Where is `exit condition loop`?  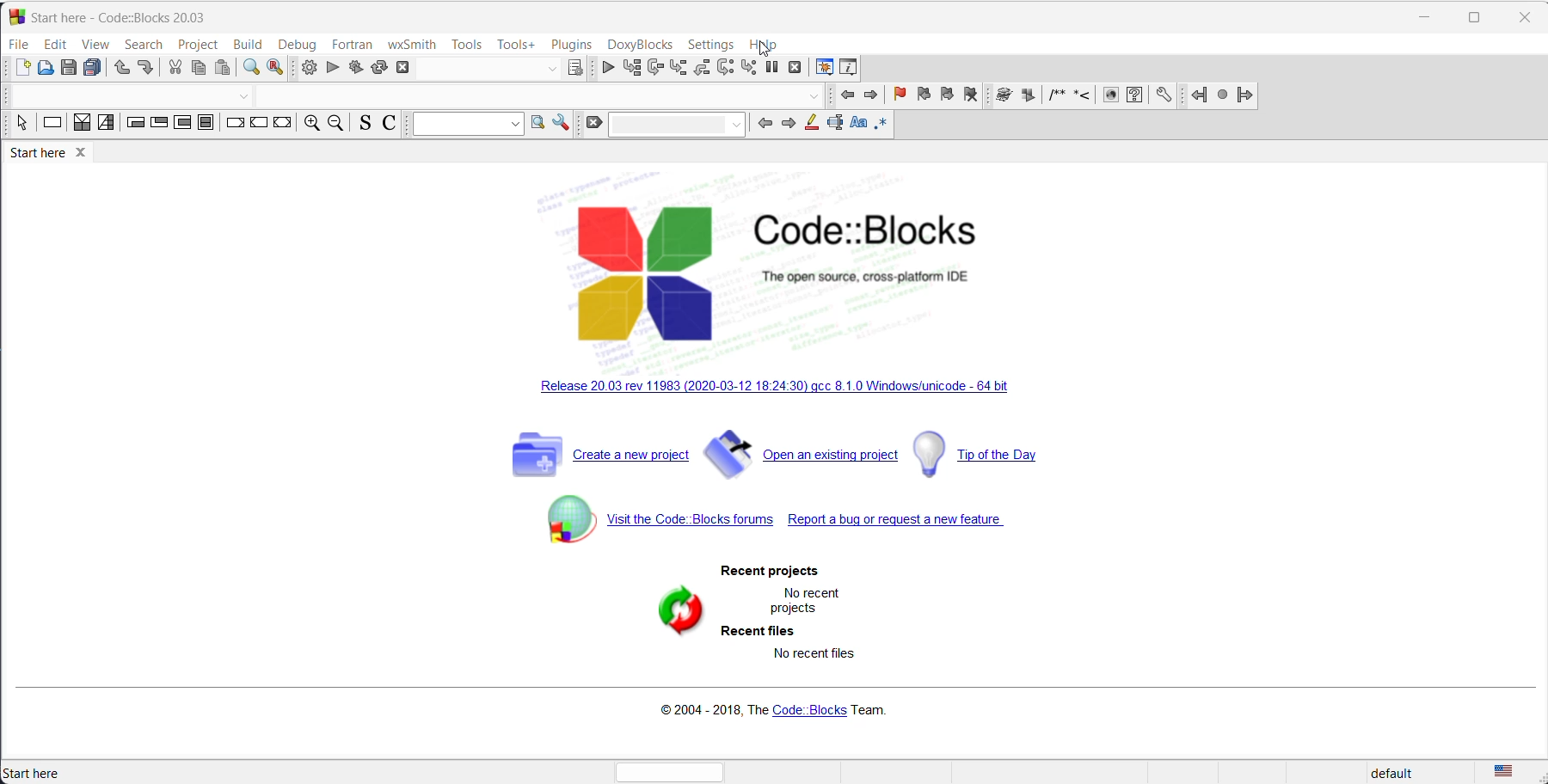 exit condition loop is located at coordinates (159, 126).